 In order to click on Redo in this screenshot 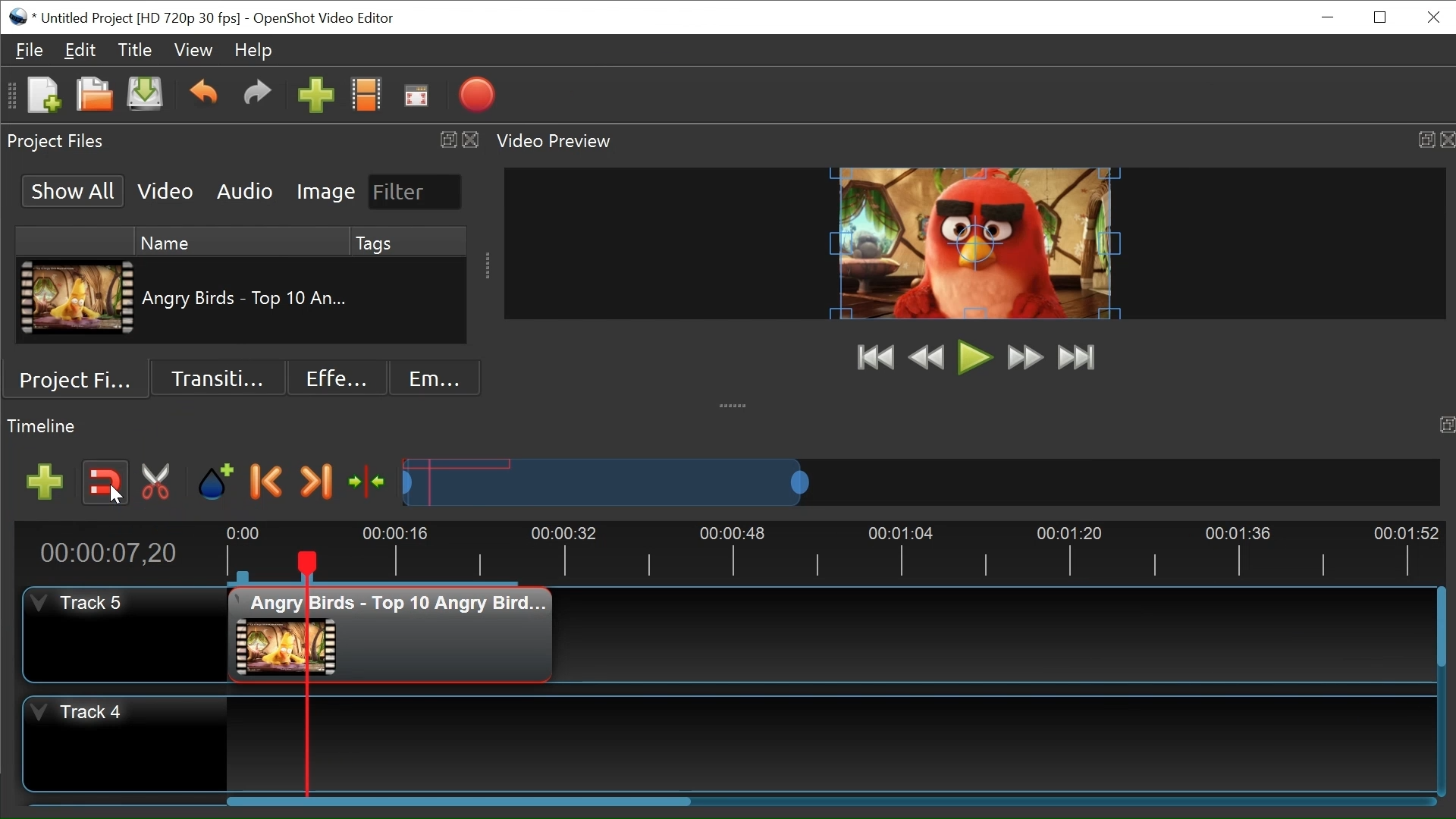, I will do `click(253, 96)`.